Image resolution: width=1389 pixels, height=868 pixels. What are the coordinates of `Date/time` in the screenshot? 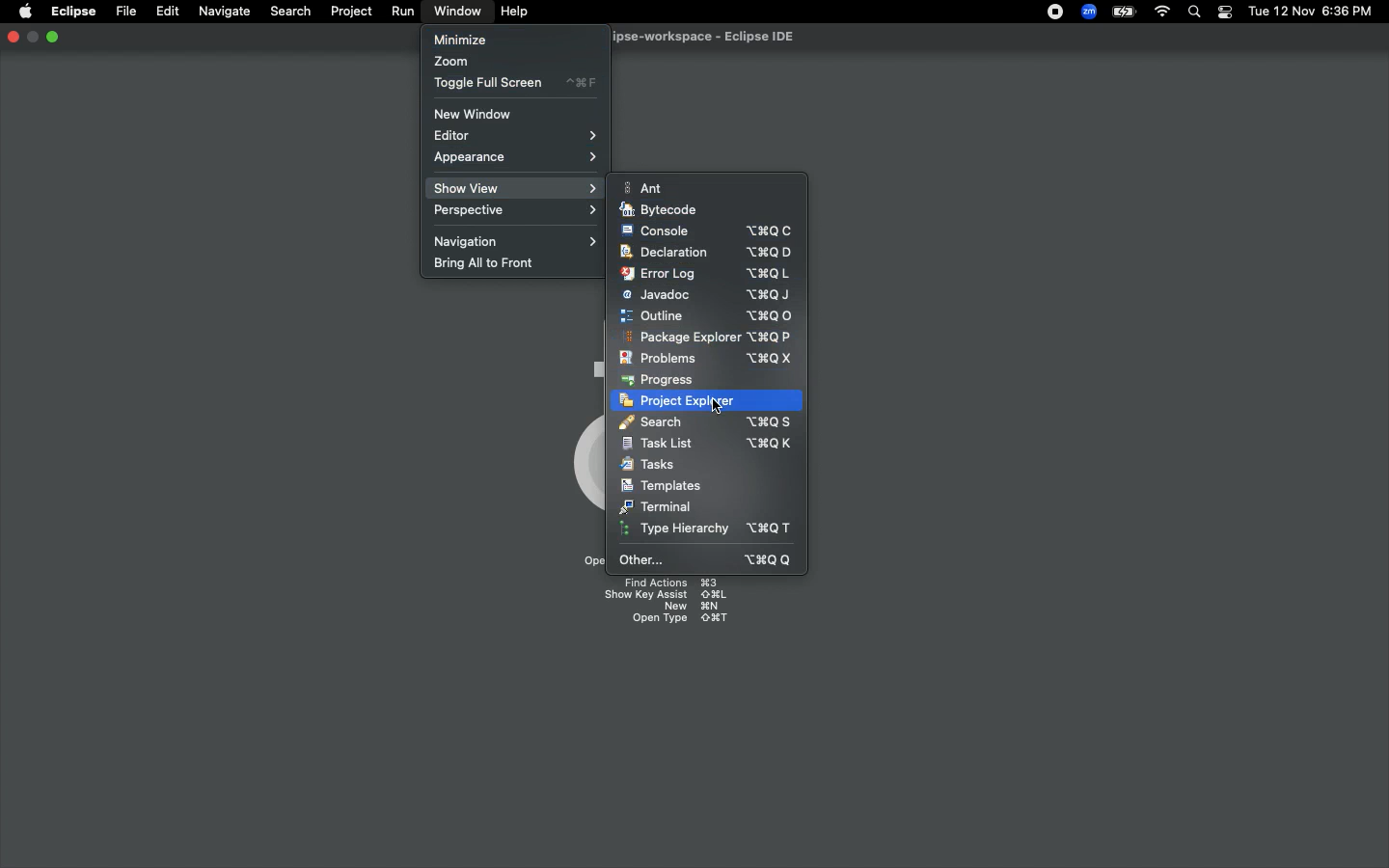 It's located at (1312, 11).